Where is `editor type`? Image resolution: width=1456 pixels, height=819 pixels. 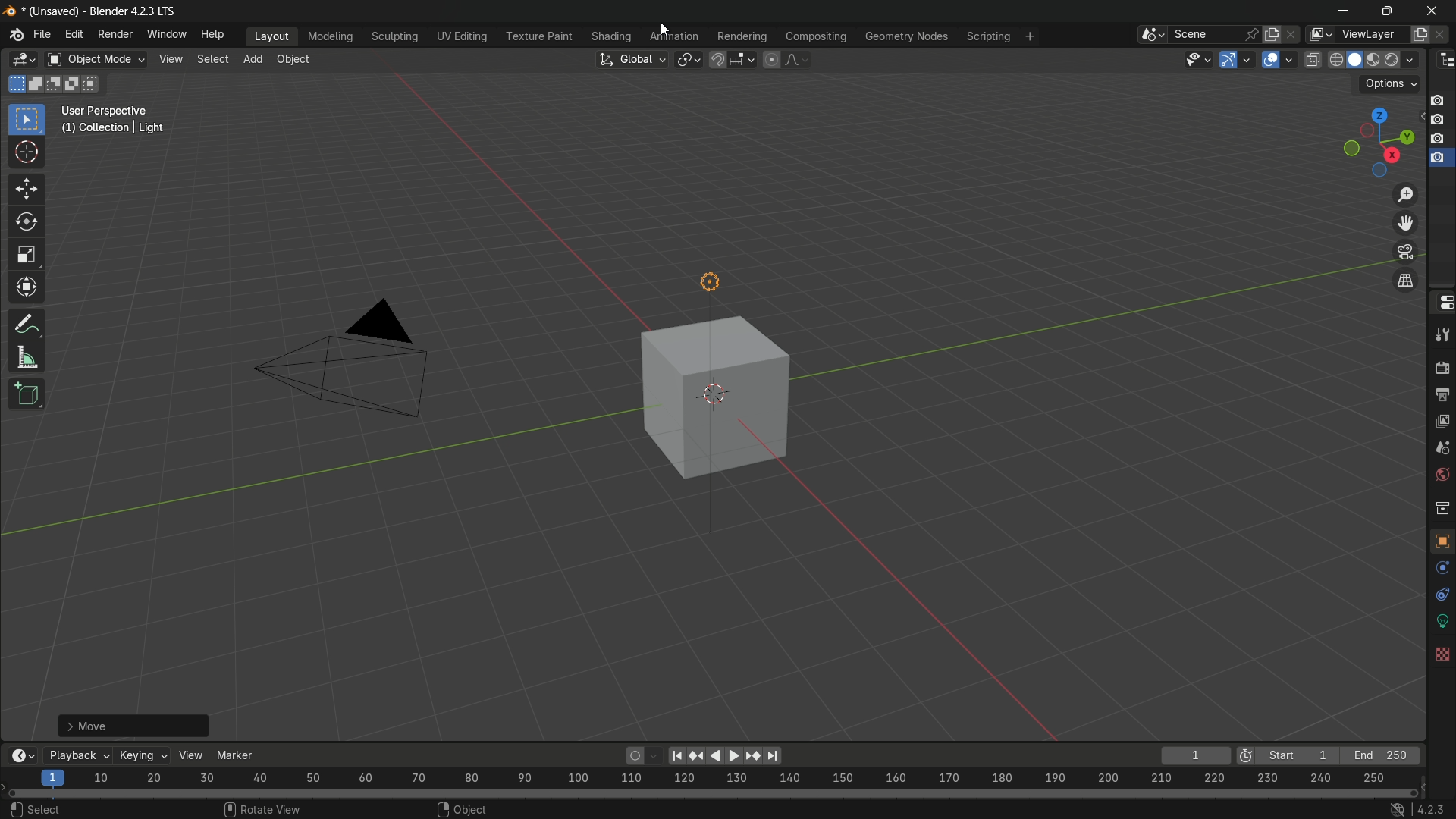 editor type is located at coordinates (24, 59).